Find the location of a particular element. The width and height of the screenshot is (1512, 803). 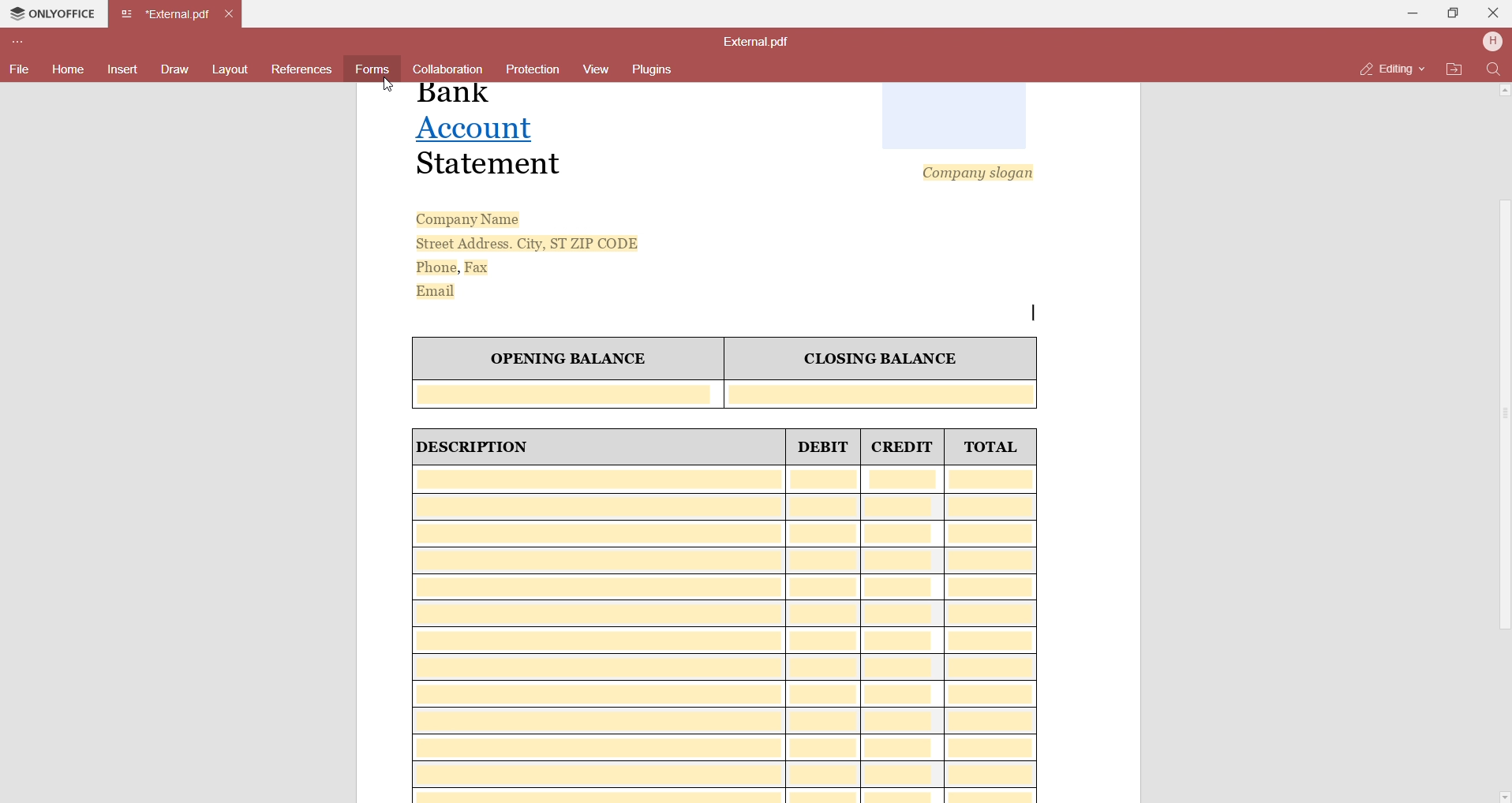

Scroll down is located at coordinates (1503, 794).